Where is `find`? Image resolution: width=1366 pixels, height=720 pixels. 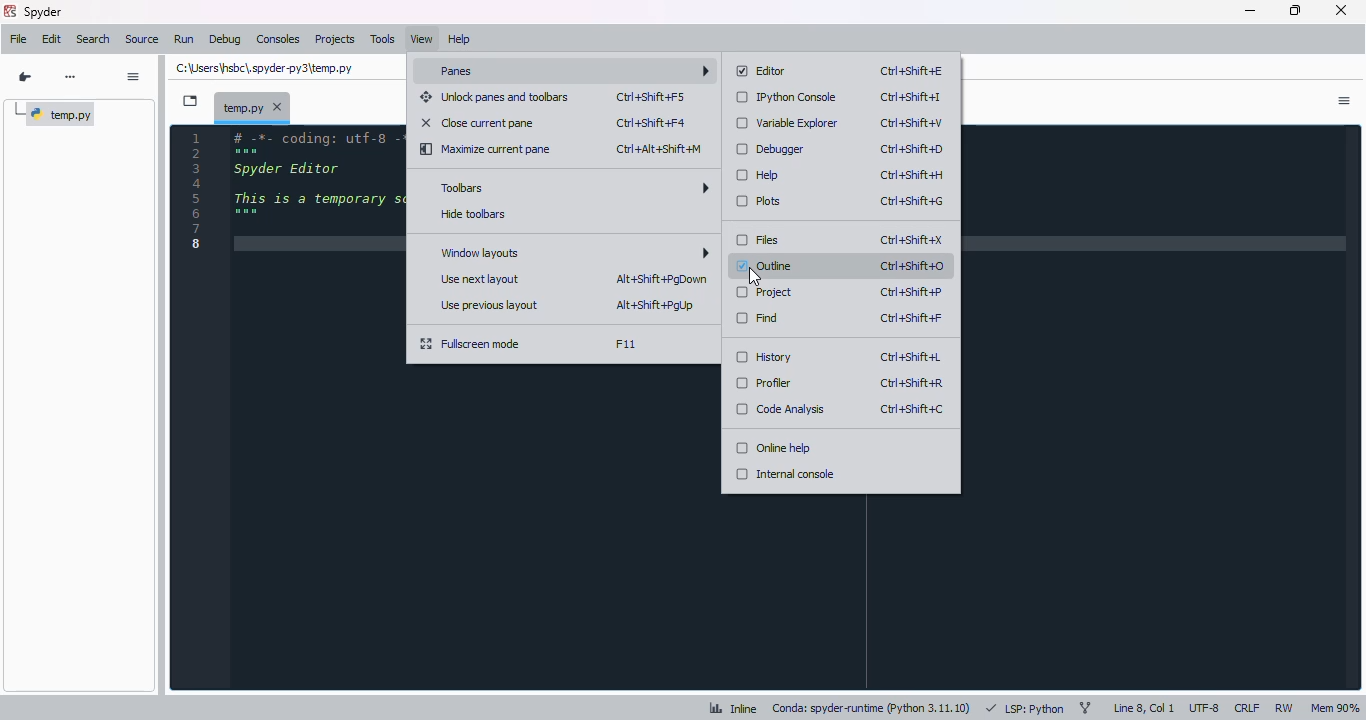
find is located at coordinates (758, 318).